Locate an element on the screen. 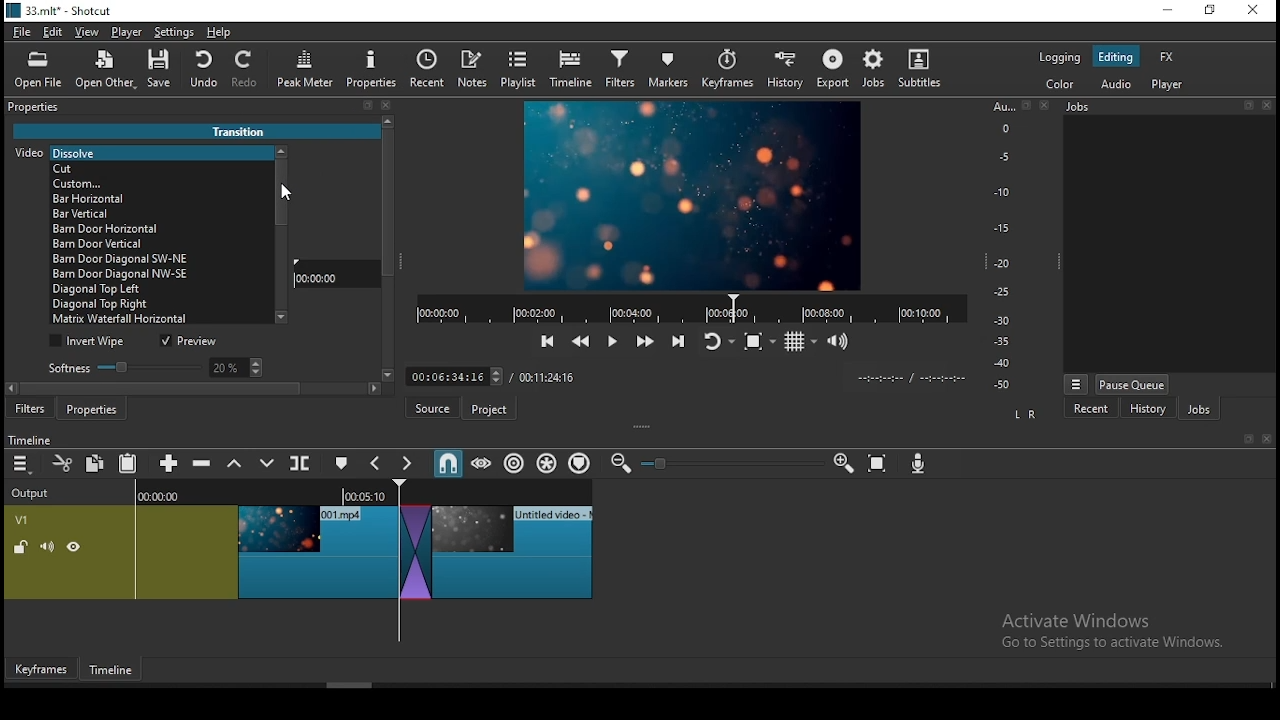 The width and height of the screenshot is (1280, 720).  is located at coordinates (1269, 105).